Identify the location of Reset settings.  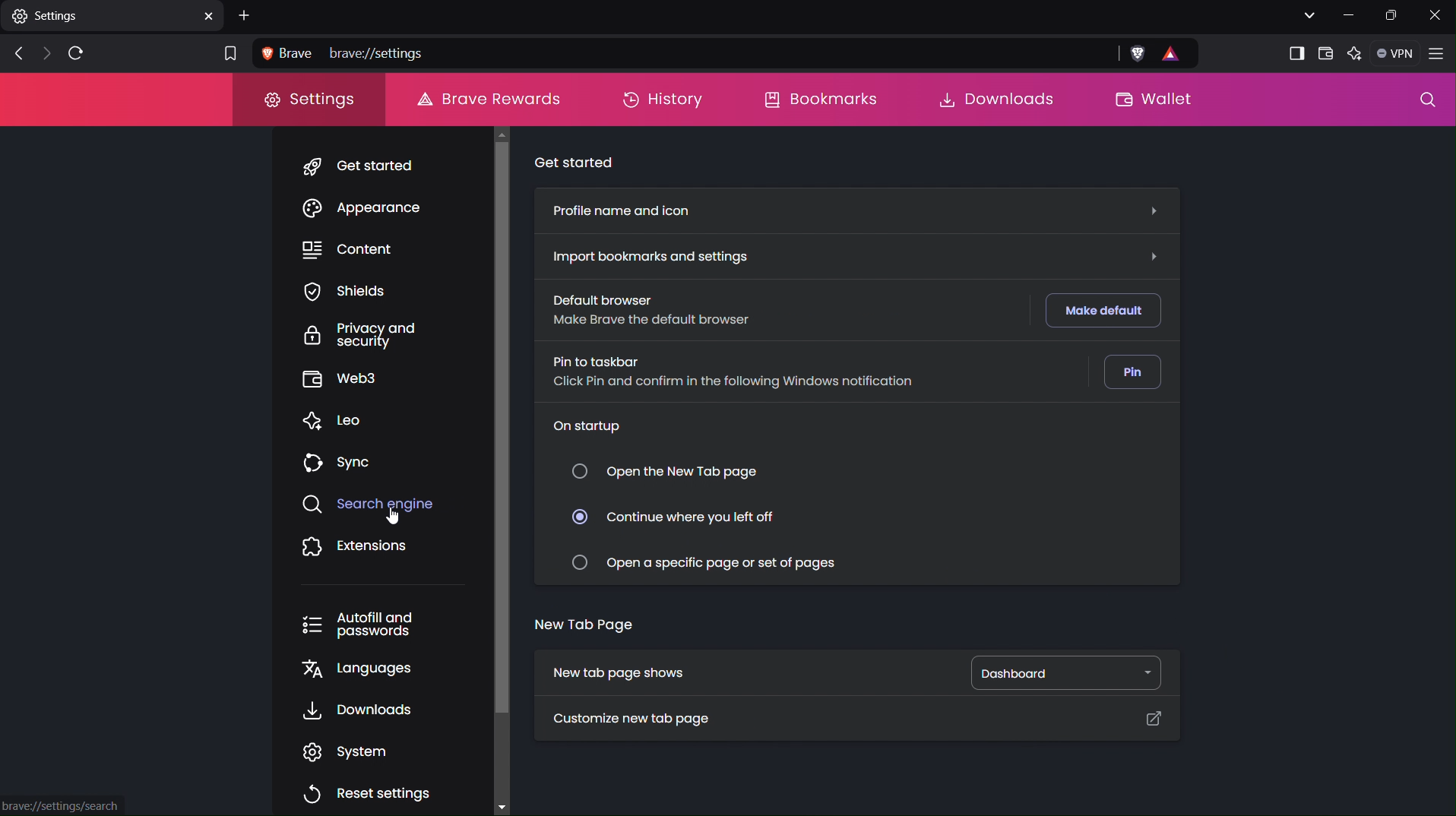
(368, 792).